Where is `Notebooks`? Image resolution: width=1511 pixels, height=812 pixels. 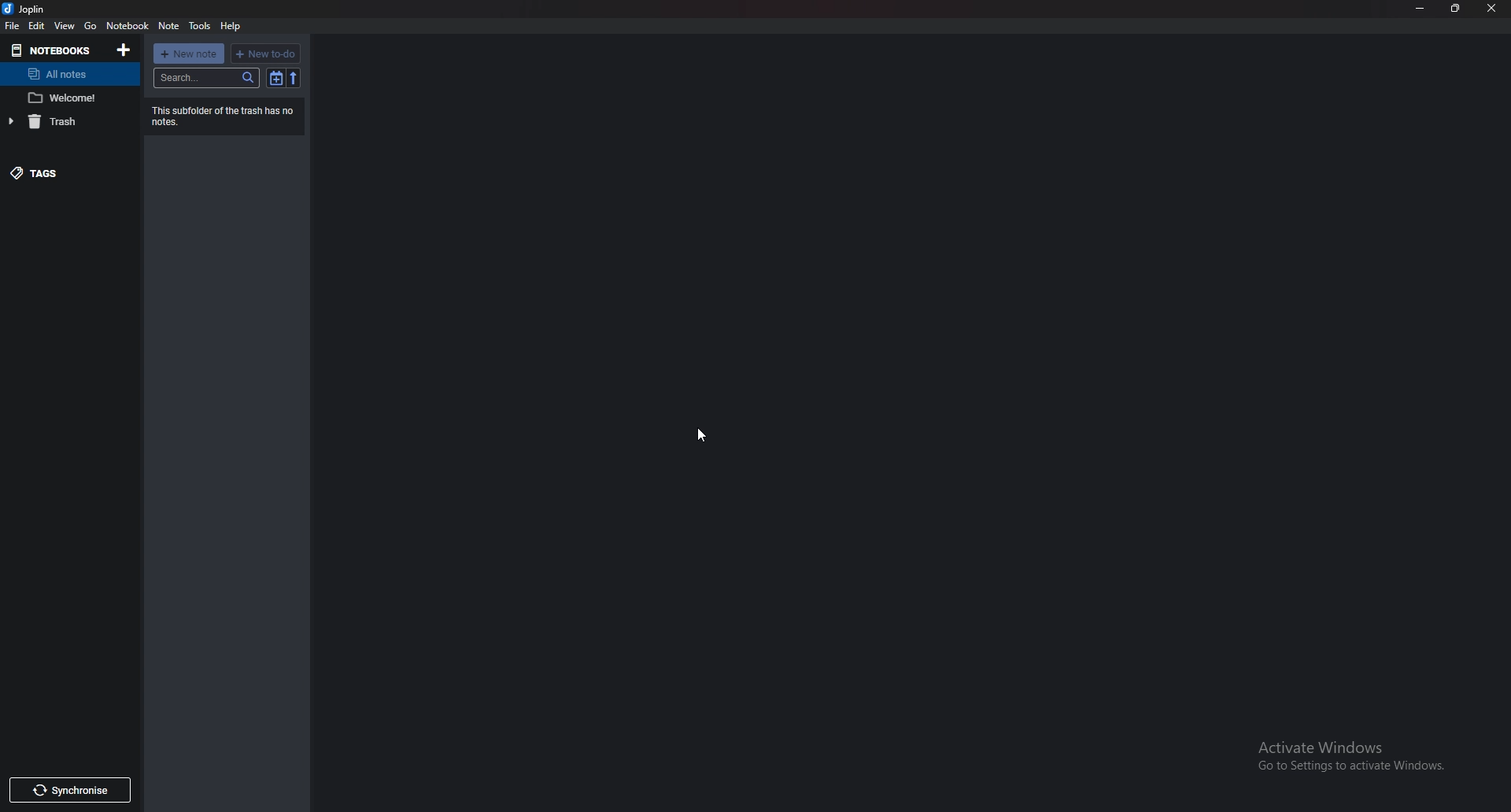
Notebooks is located at coordinates (51, 51).